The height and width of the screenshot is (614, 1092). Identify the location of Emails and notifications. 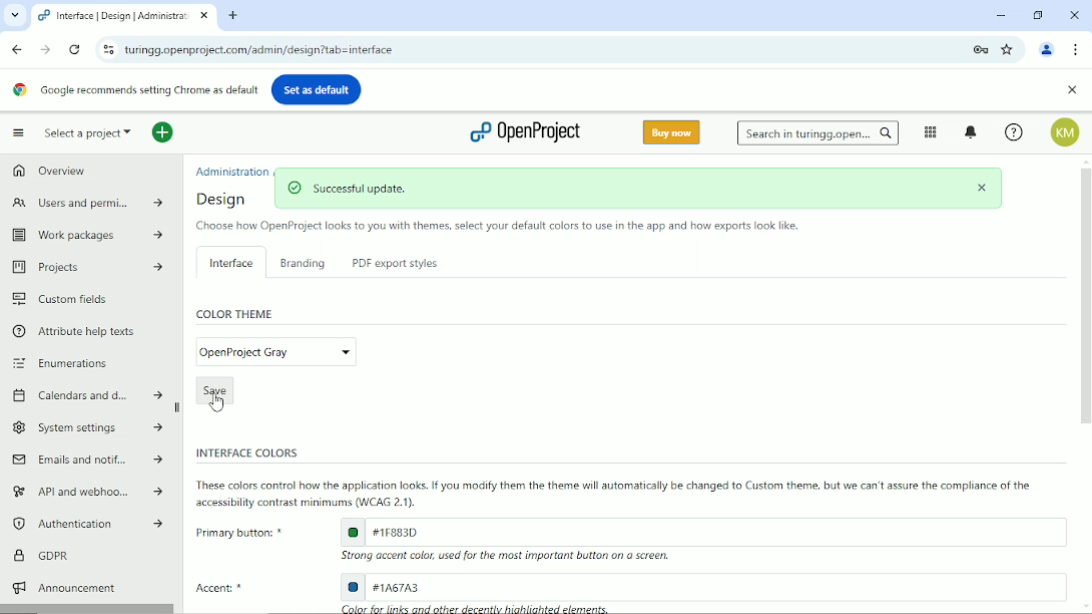
(87, 460).